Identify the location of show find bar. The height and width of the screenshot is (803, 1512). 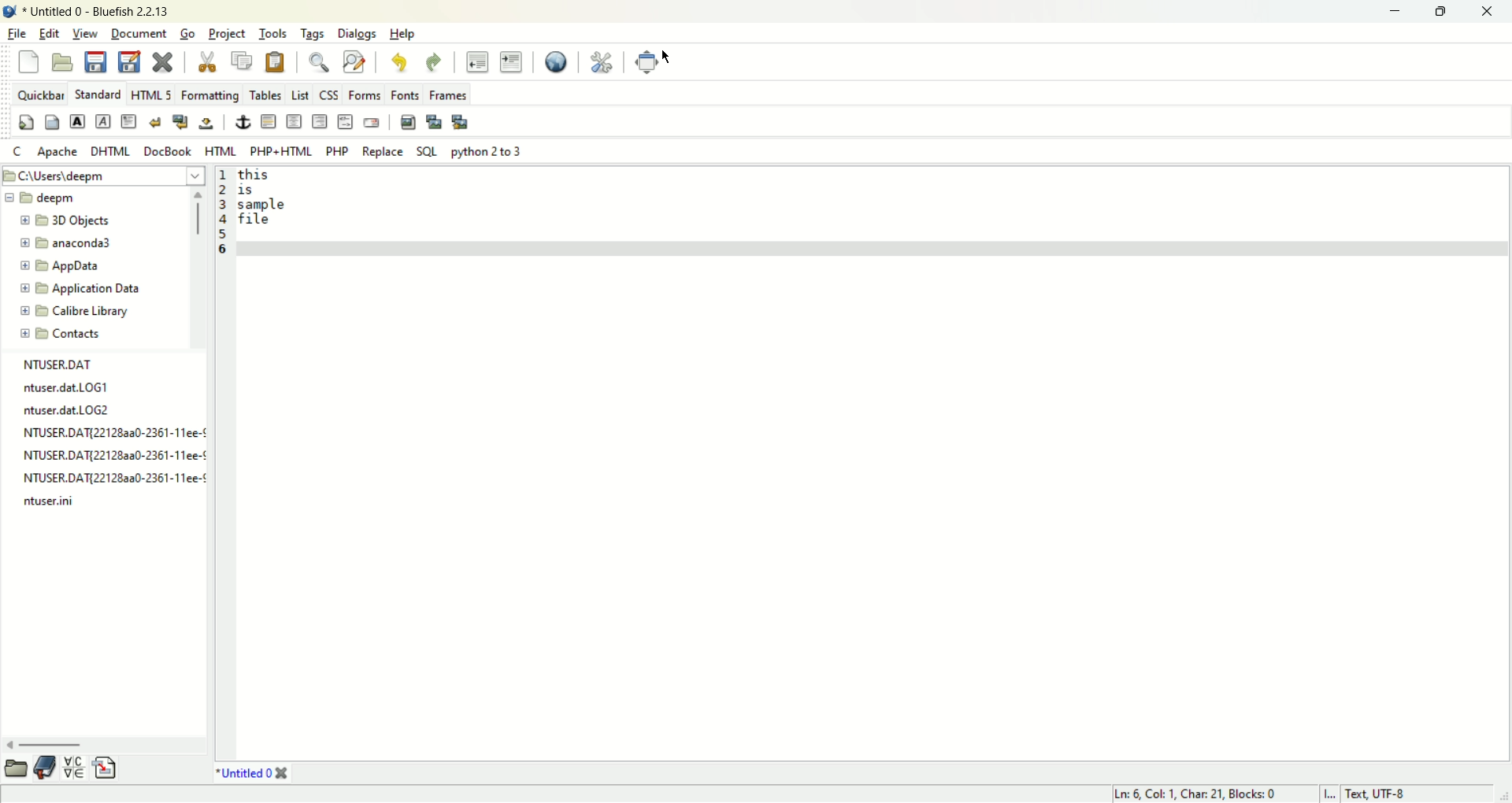
(317, 61).